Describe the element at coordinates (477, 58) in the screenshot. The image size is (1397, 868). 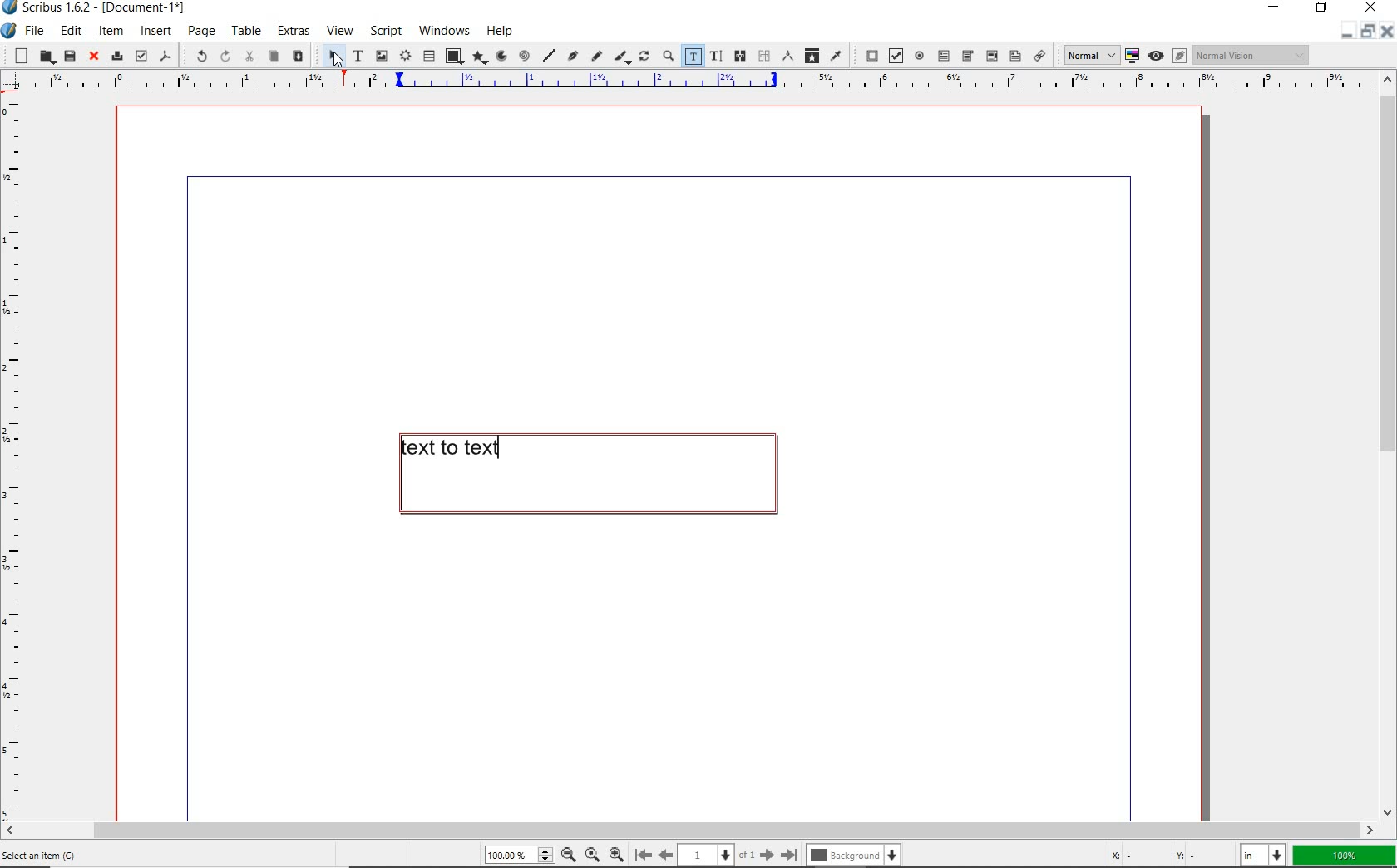
I see `polygon` at that location.